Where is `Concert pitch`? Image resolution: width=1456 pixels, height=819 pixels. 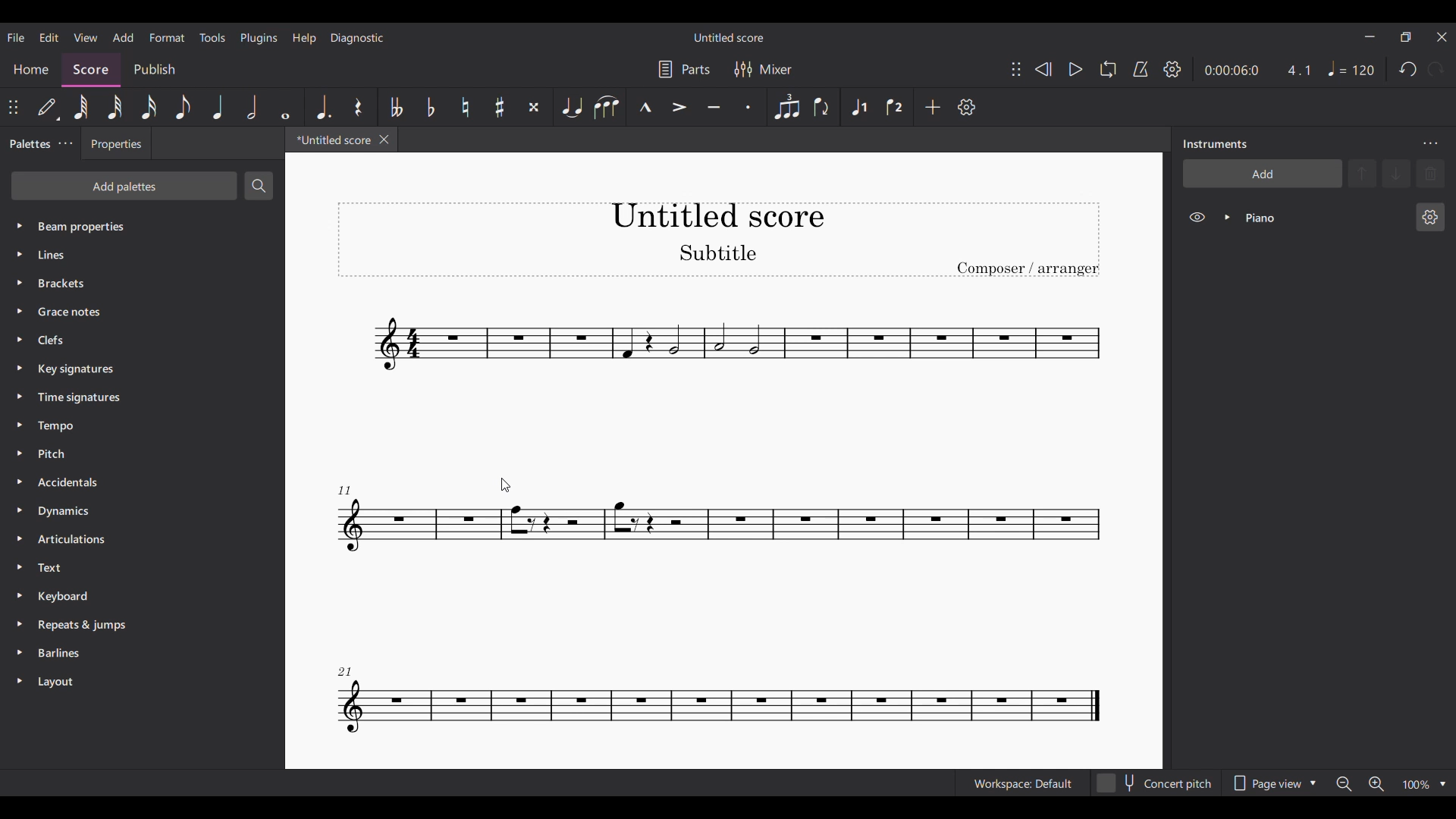
Concert pitch is located at coordinates (1155, 780).